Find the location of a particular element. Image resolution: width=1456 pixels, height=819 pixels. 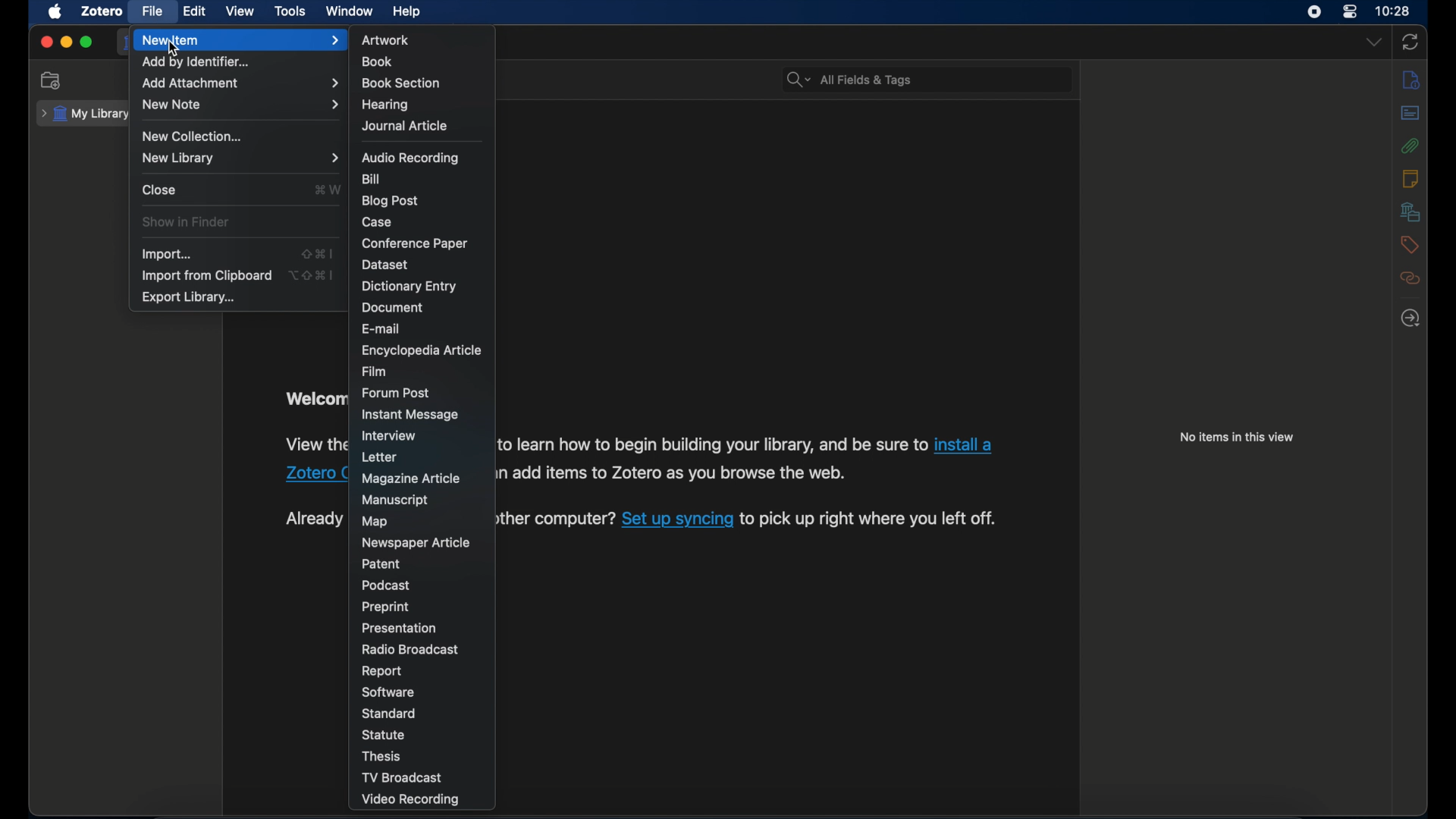

new item is located at coordinates (240, 41).